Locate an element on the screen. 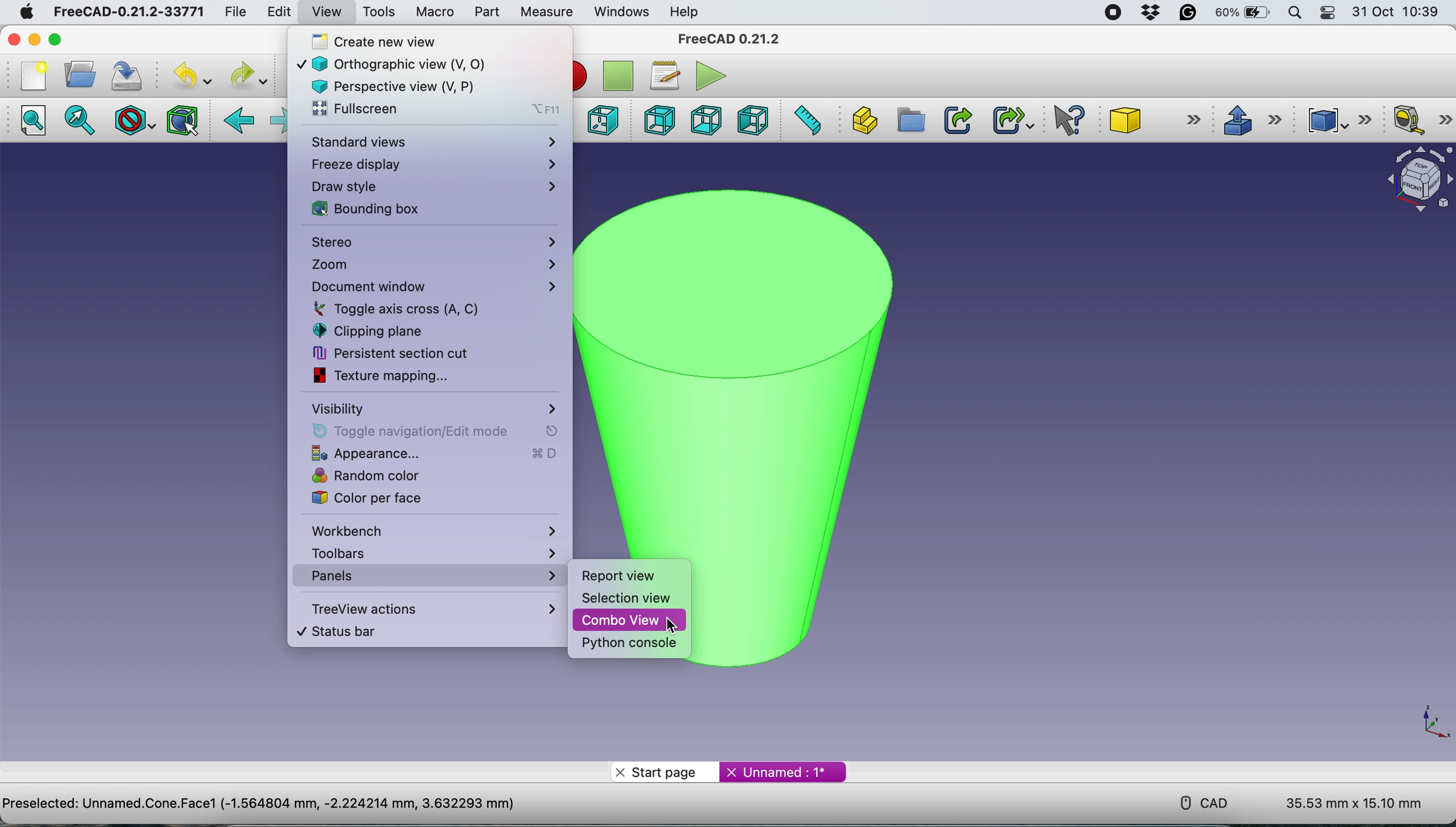  rear is located at coordinates (658, 122).